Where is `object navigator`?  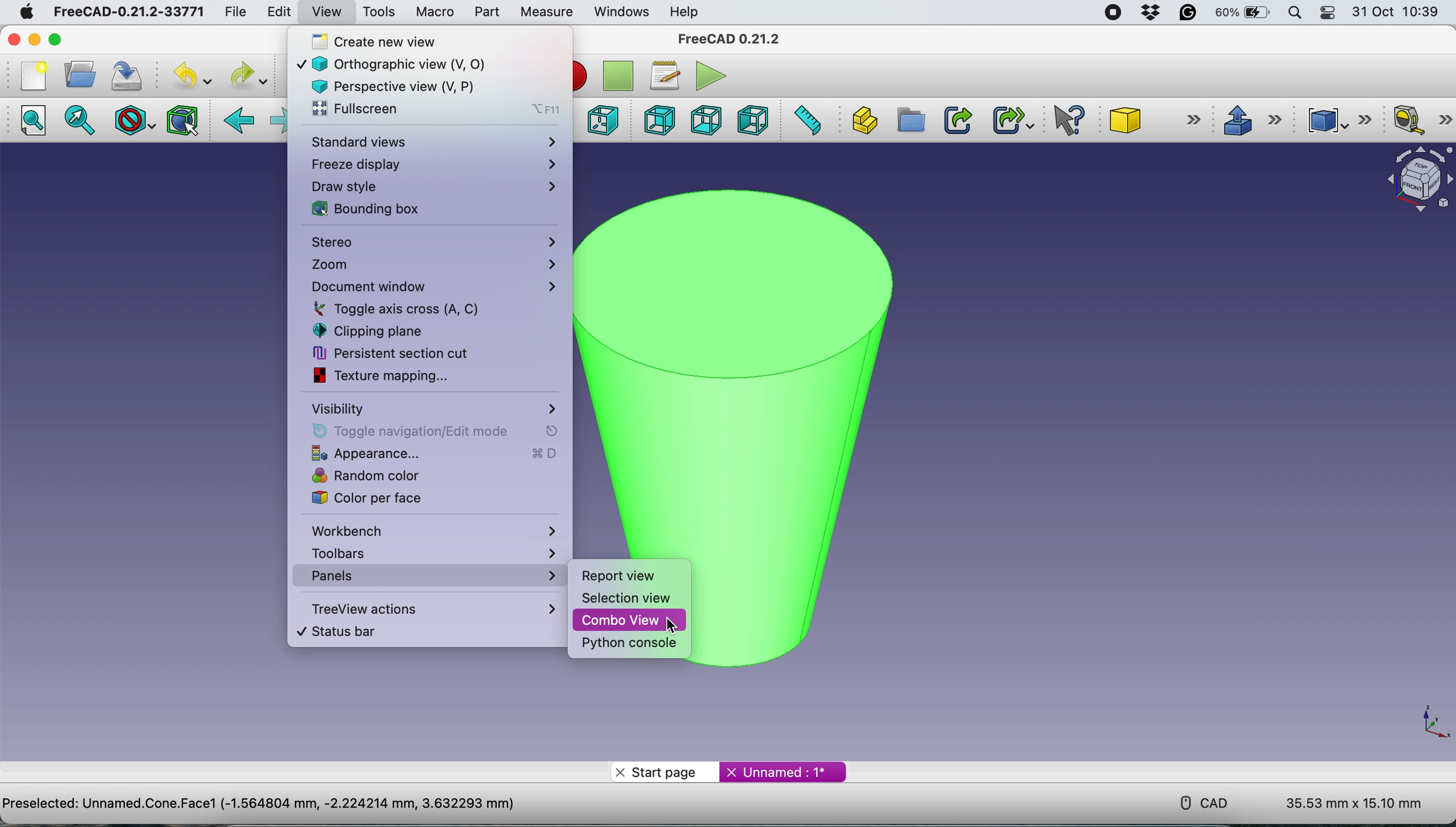
object navigator is located at coordinates (1413, 179).